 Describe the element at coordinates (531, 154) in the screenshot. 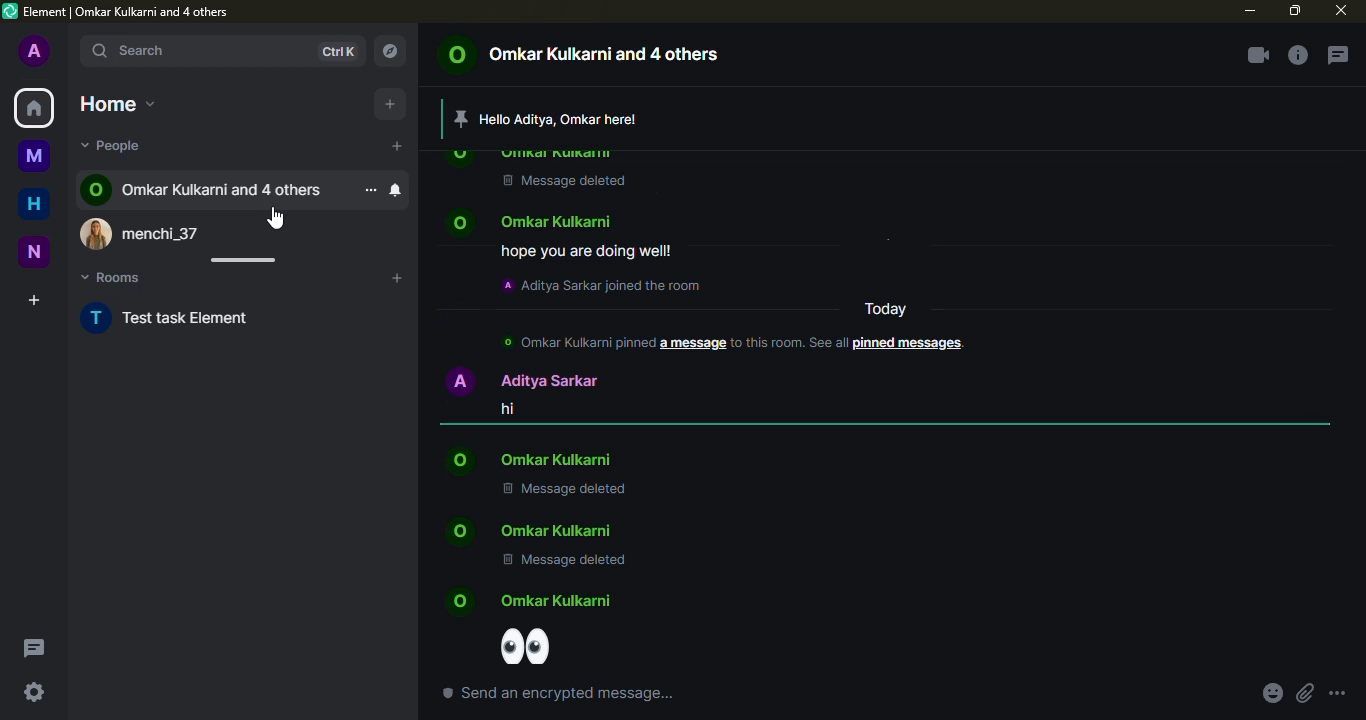

I see `omkar kulkarni` at that location.